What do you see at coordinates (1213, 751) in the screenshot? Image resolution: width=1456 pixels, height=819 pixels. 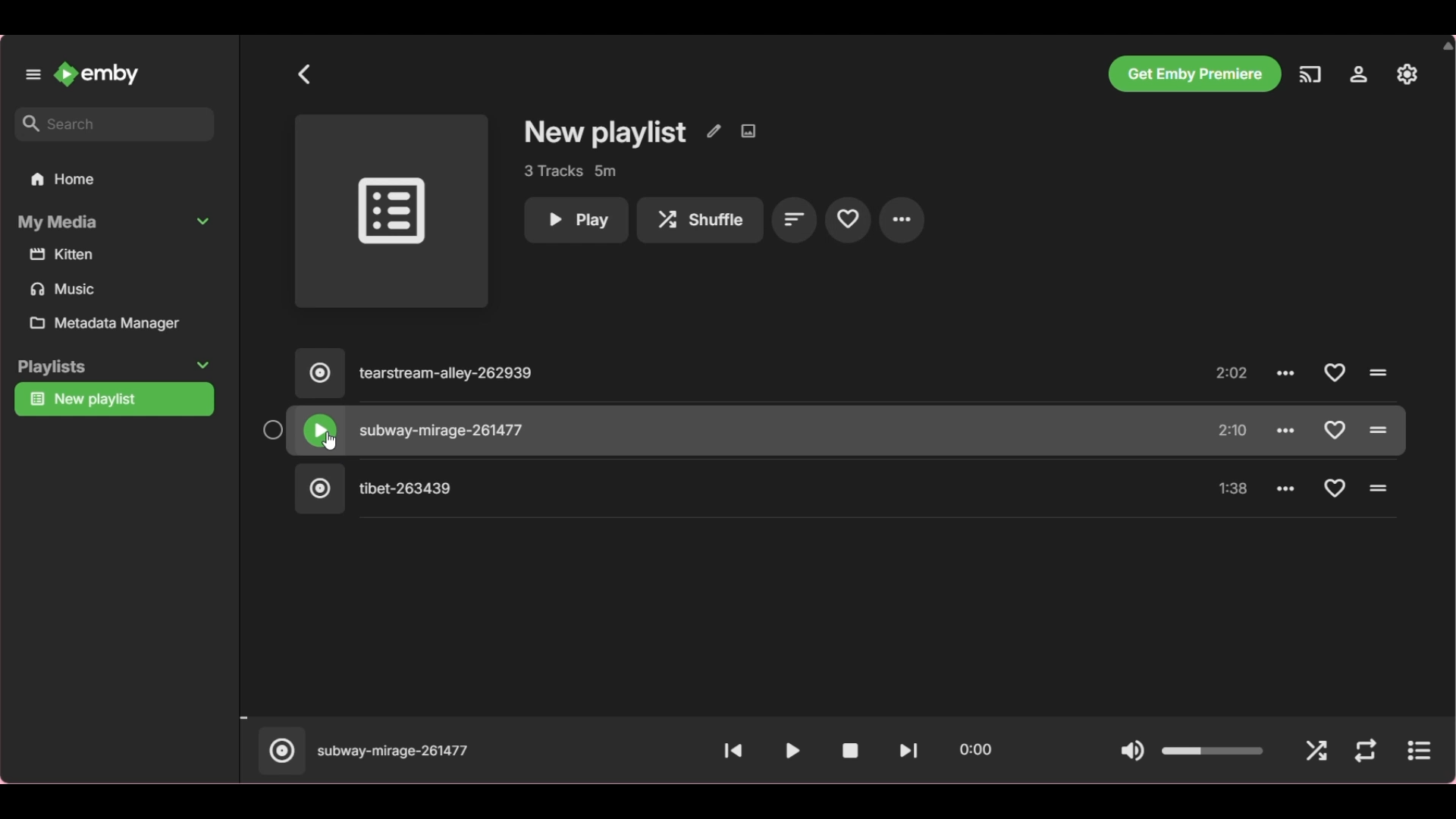 I see `Change volume of song` at bounding box center [1213, 751].